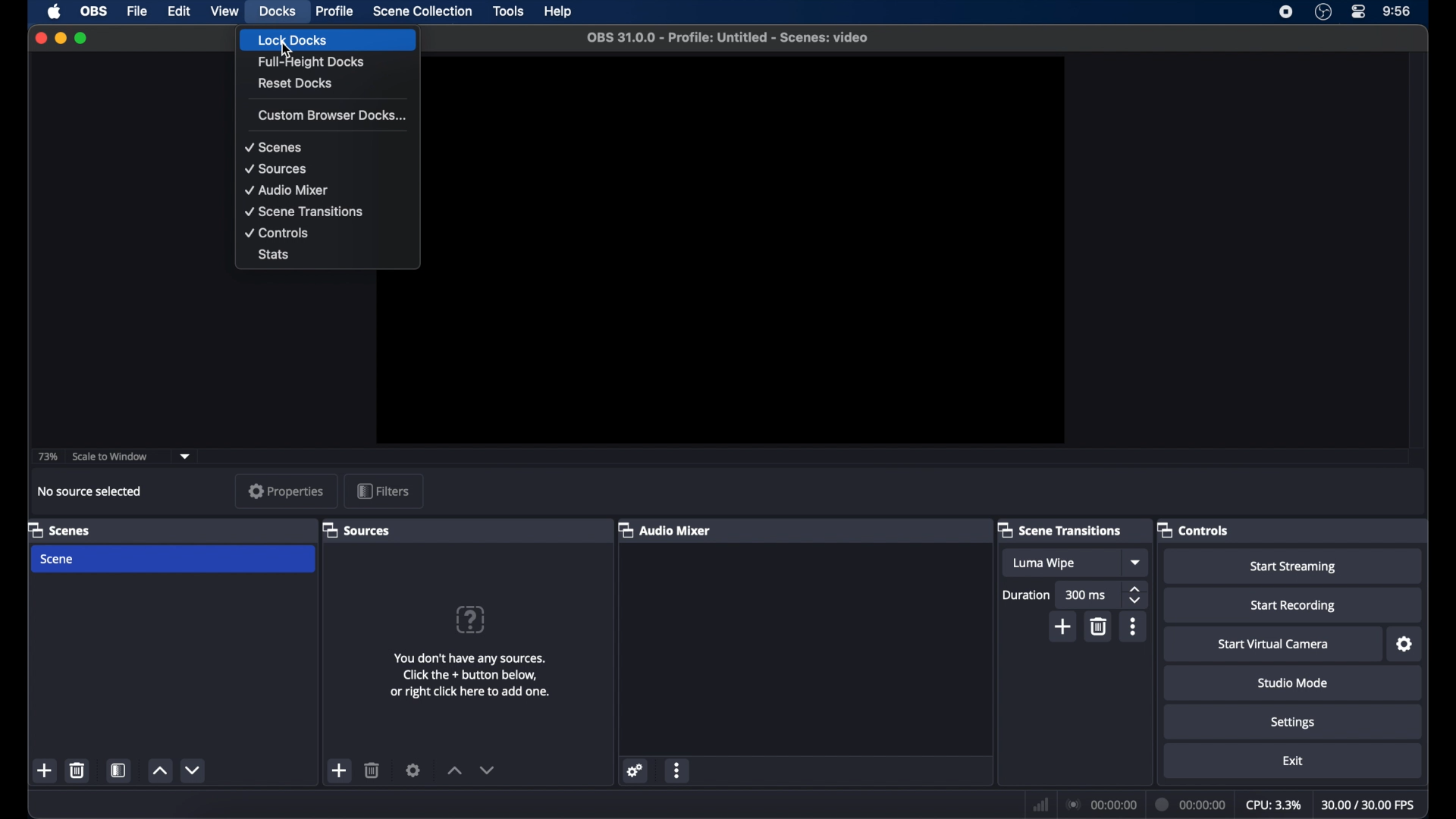  I want to click on scene, so click(172, 559).